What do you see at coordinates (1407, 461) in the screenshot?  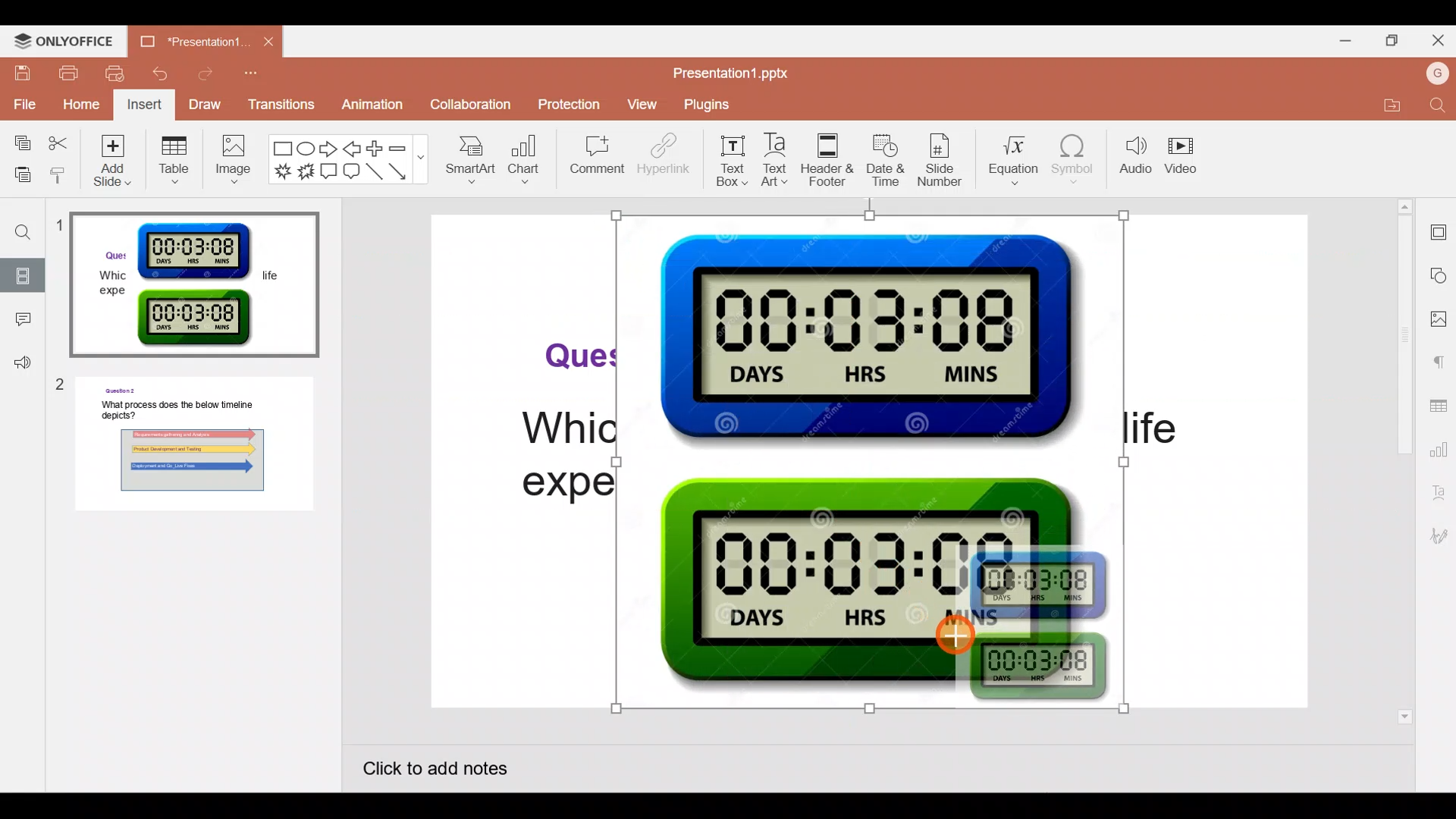 I see `Scroll bar` at bounding box center [1407, 461].